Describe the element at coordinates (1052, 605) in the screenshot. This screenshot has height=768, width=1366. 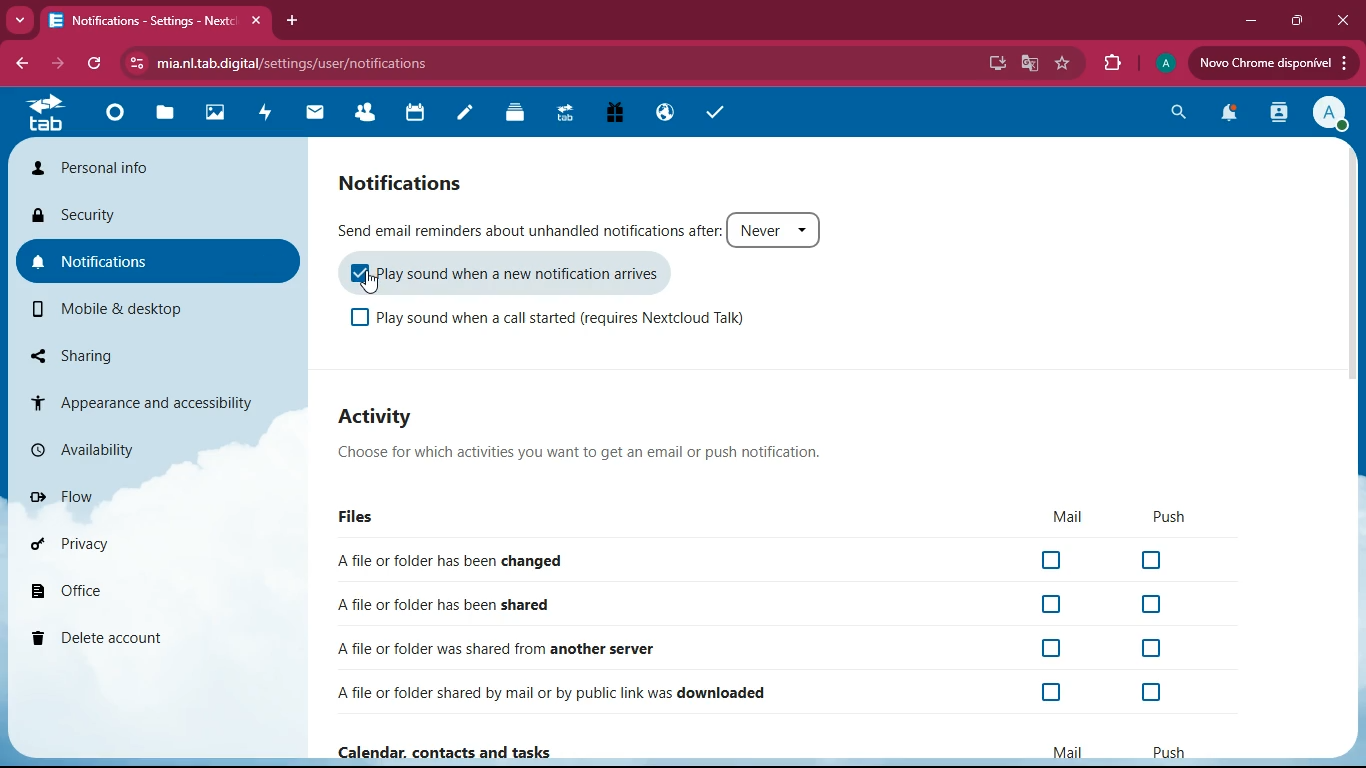
I see `off` at that location.